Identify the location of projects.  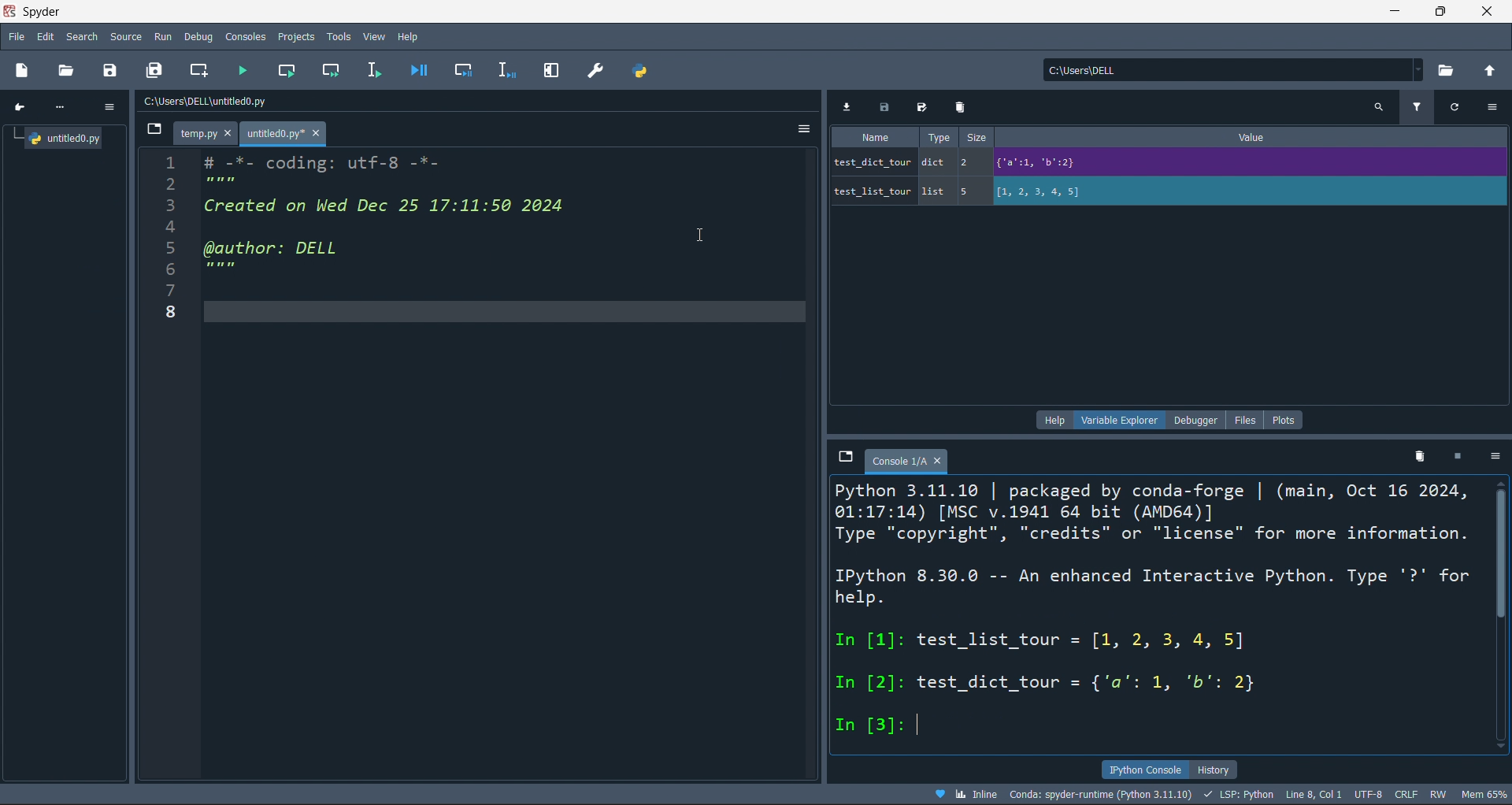
(296, 36).